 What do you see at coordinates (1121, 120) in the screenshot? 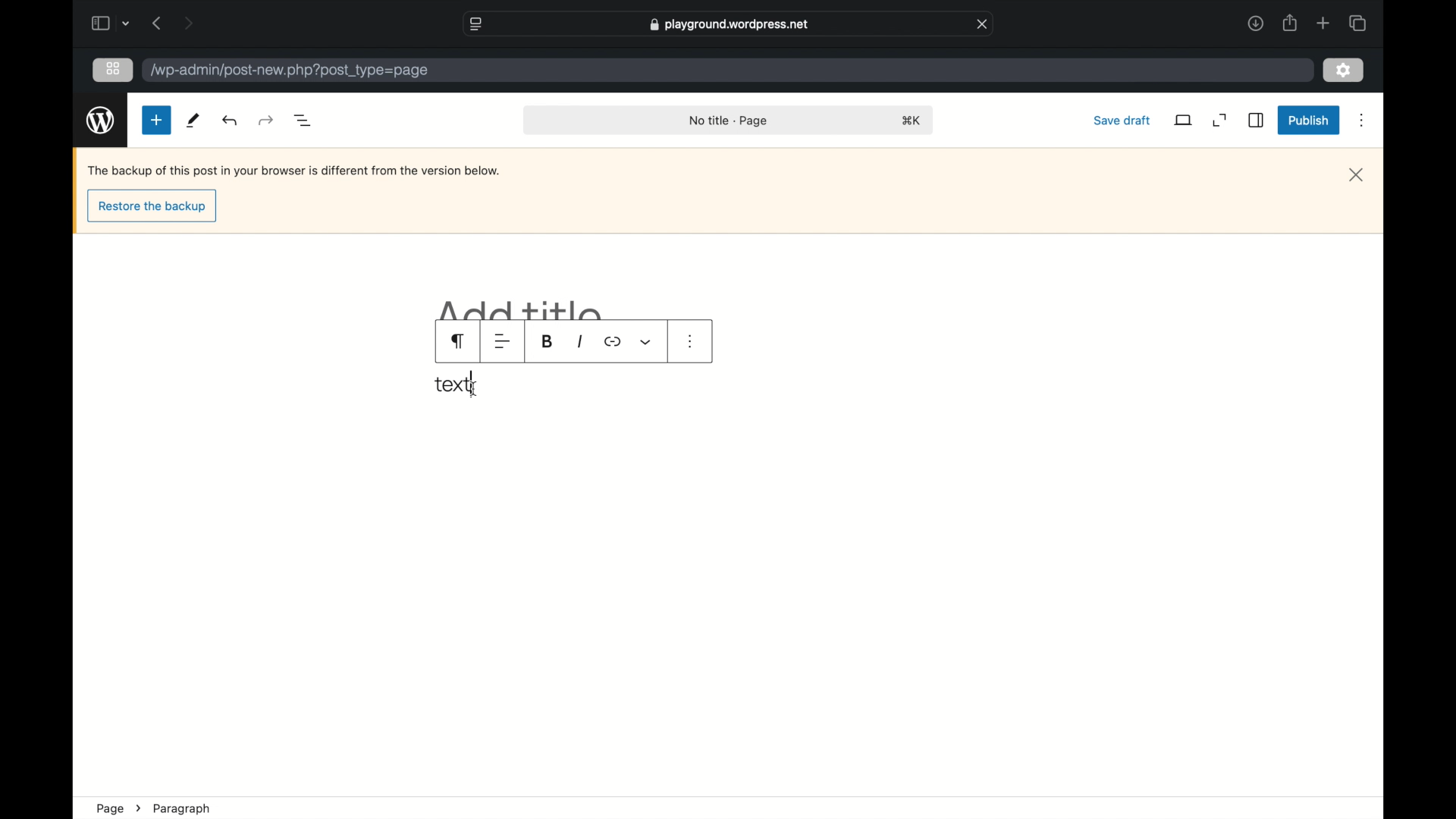
I see `save draft` at bounding box center [1121, 120].